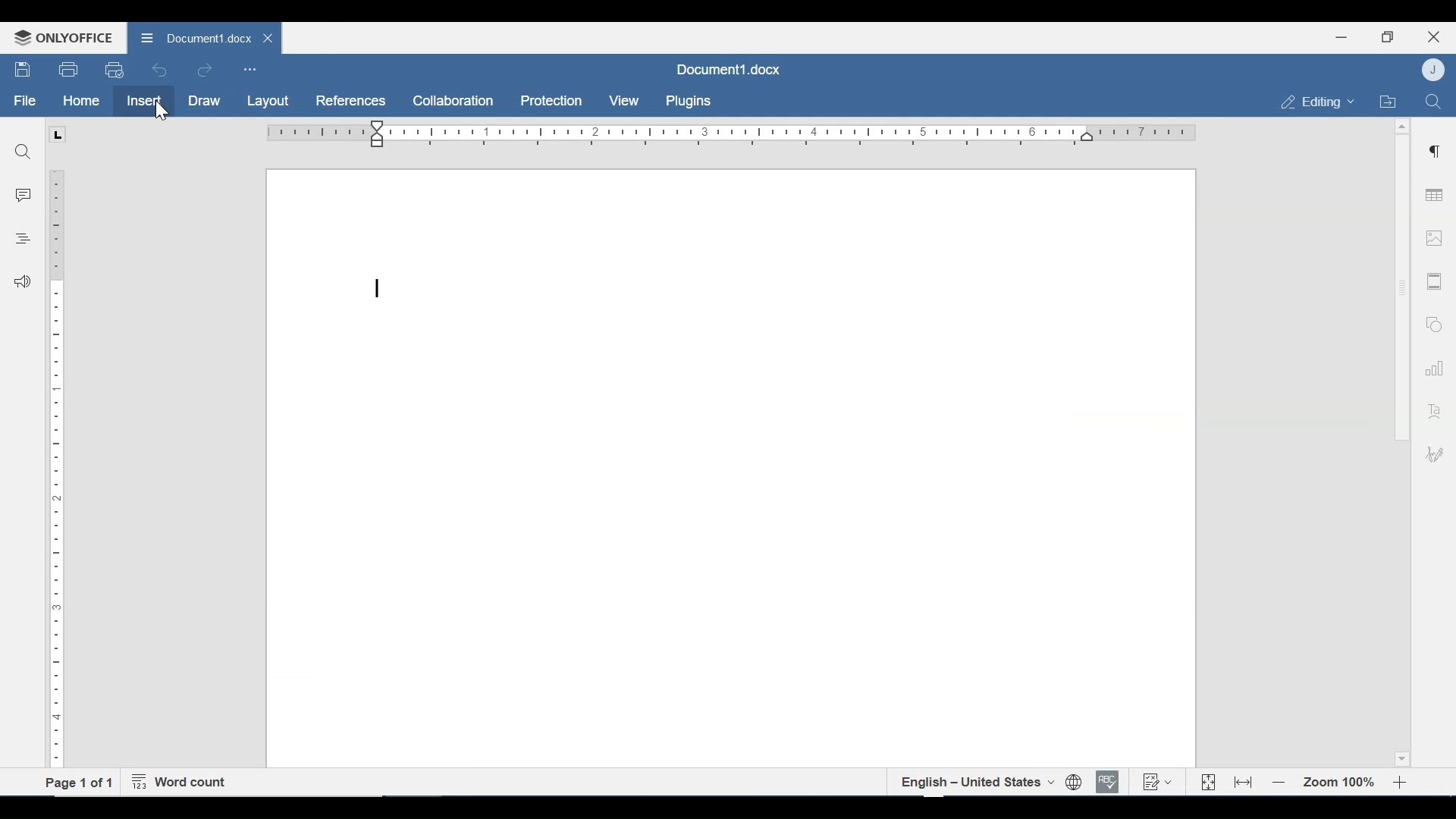 The height and width of the screenshot is (819, 1456). Describe the element at coordinates (1387, 100) in the screenshot. I see `Open Filelocation` at that location.